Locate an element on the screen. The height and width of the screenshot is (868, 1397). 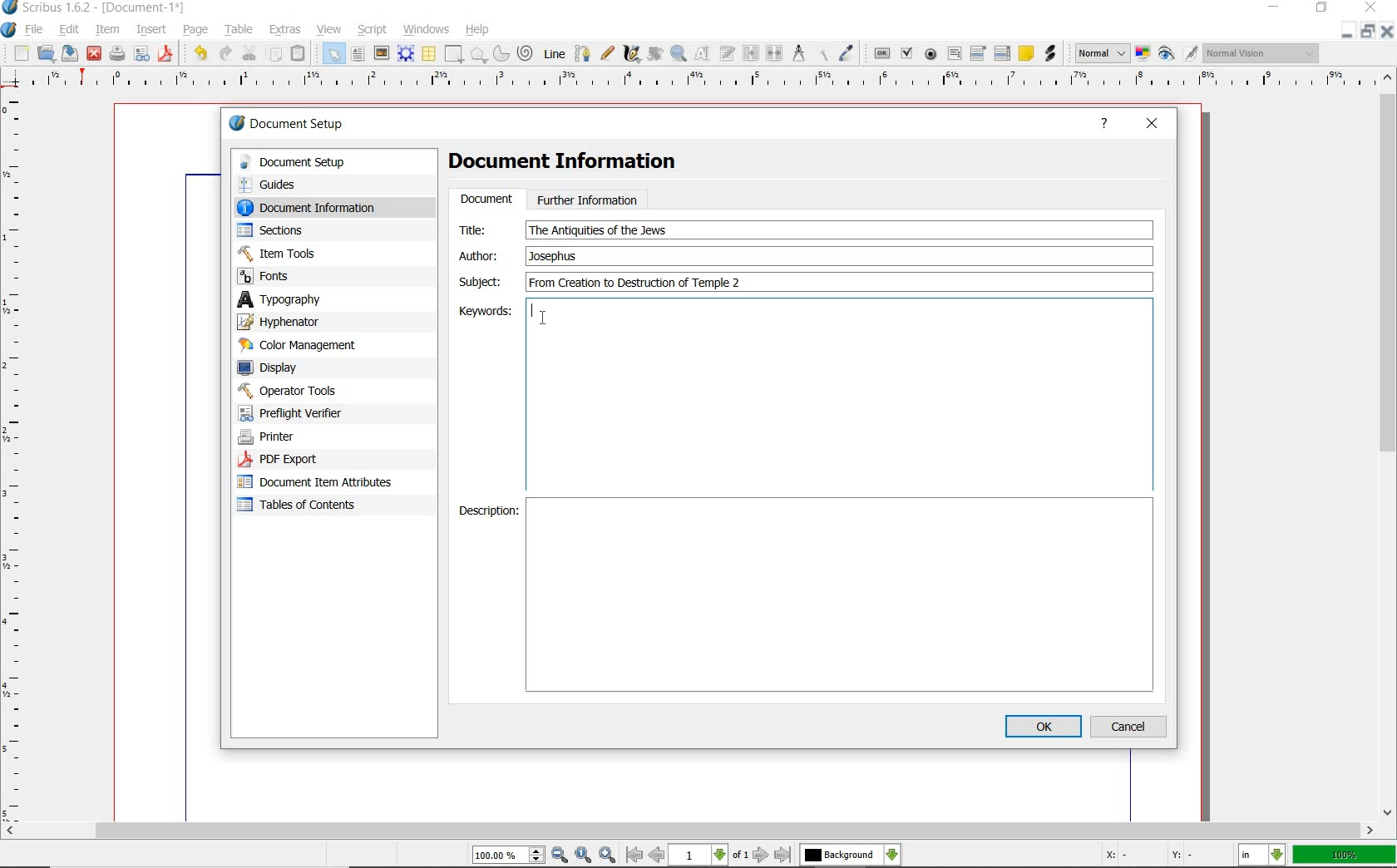
select the current layer is located at coordinates (851, 855).